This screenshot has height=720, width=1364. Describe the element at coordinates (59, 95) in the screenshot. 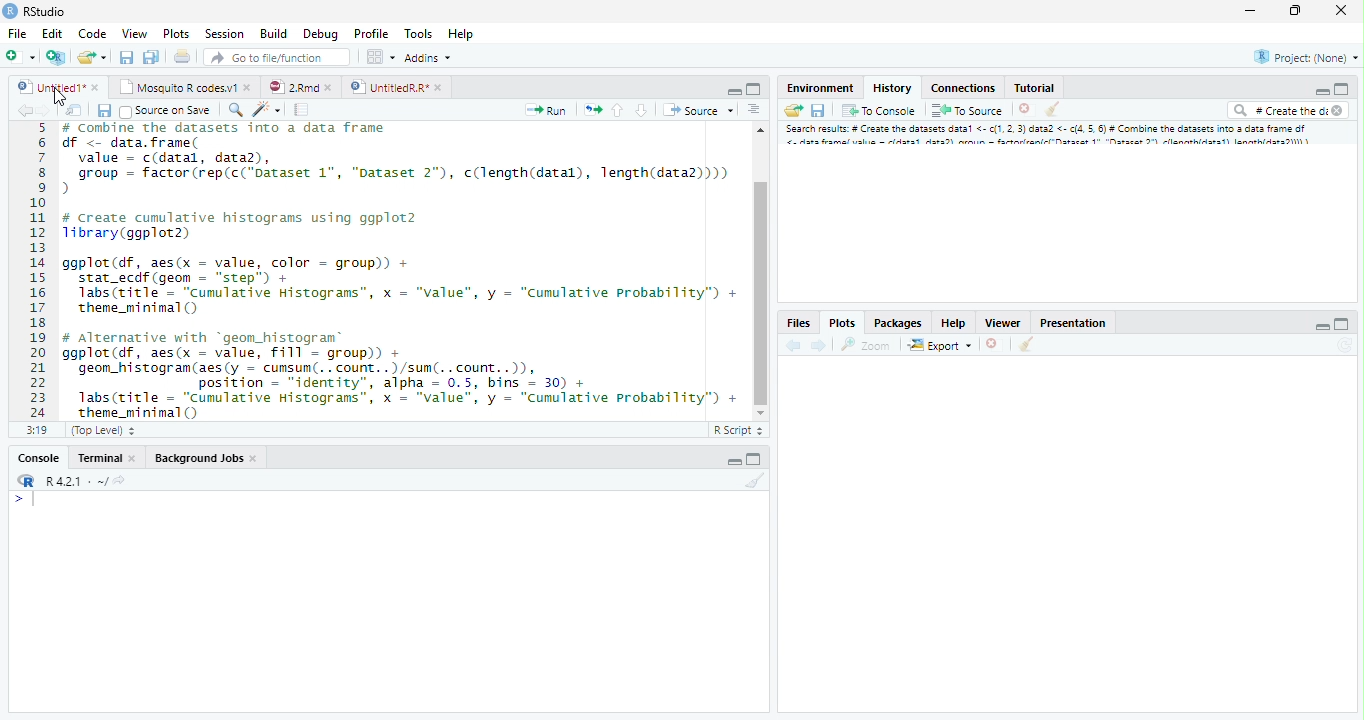

I see `Cursor` at that location.